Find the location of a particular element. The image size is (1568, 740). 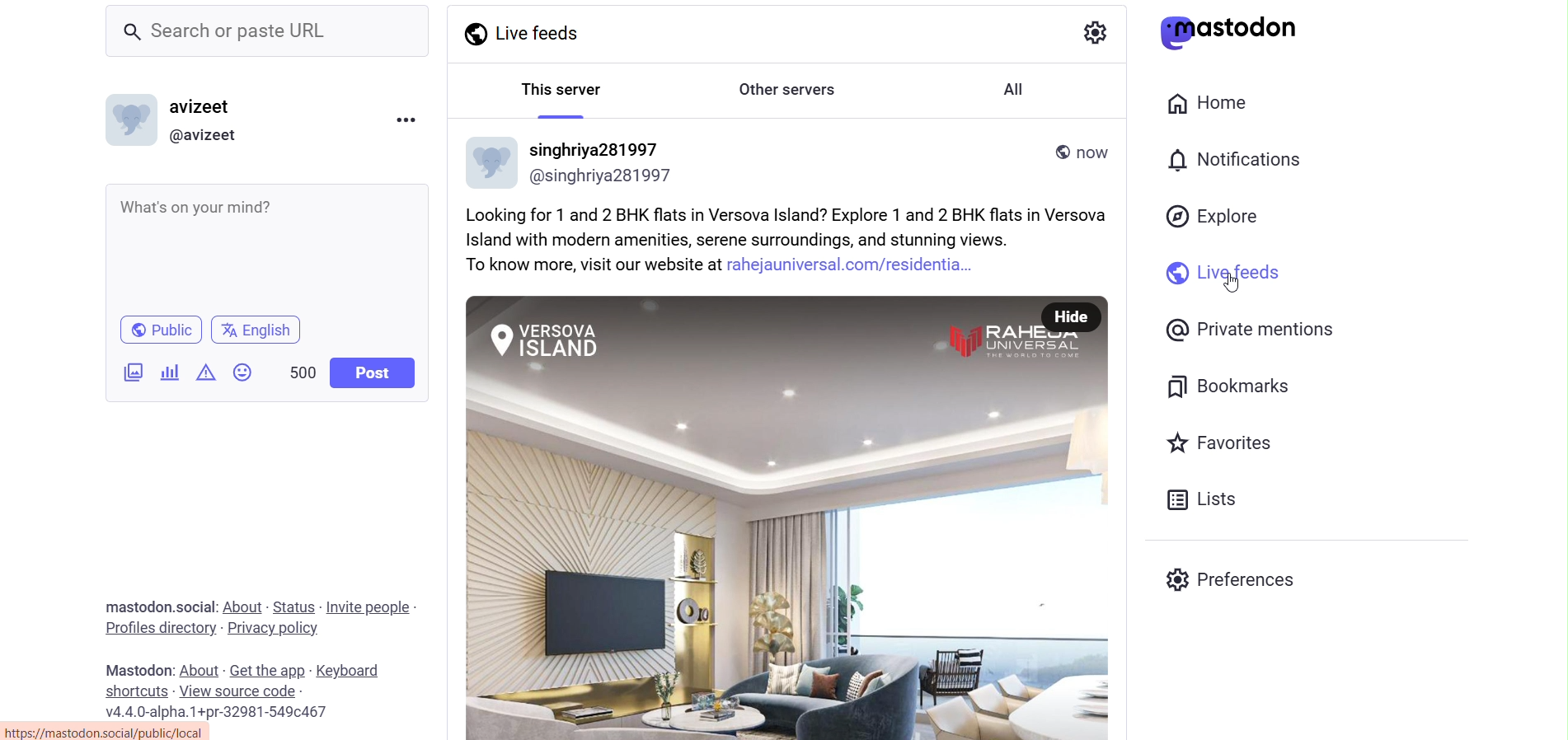

bookmark is located at coordinates (1232, 389).